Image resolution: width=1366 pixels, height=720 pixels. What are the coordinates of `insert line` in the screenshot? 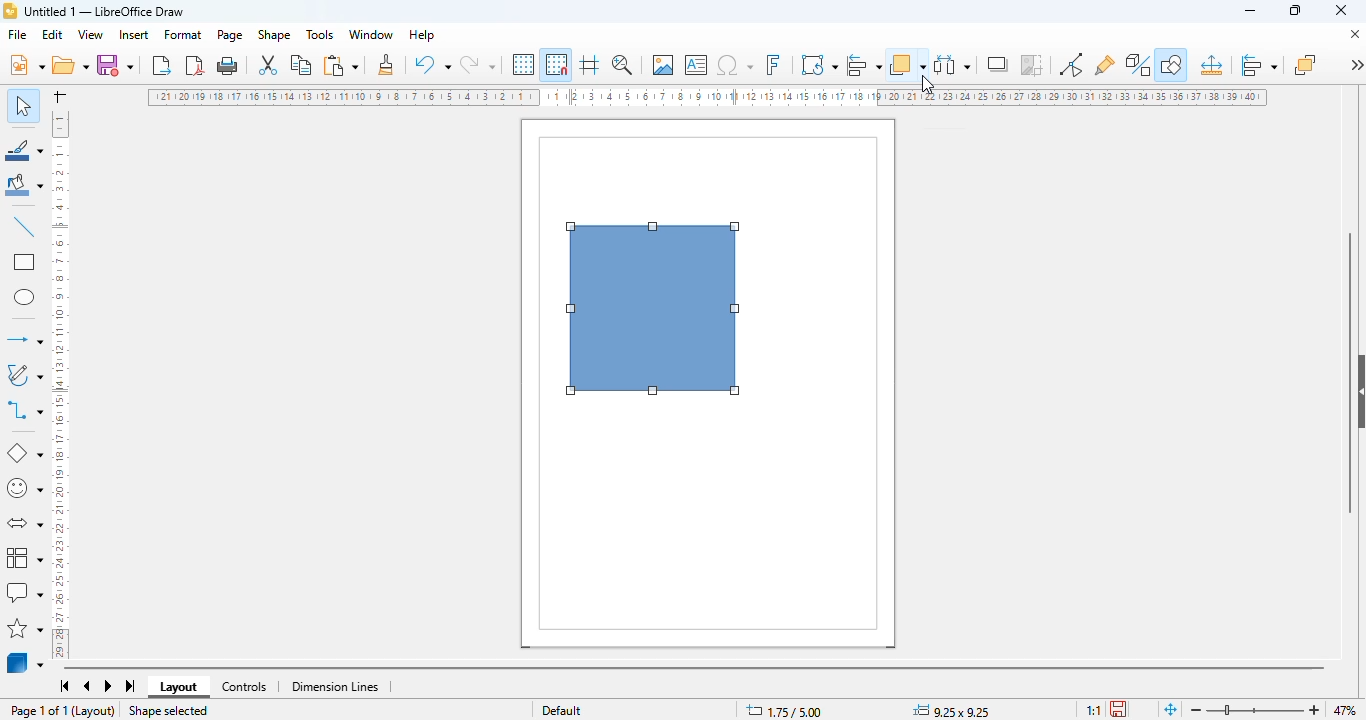 It's located at (24, 226).